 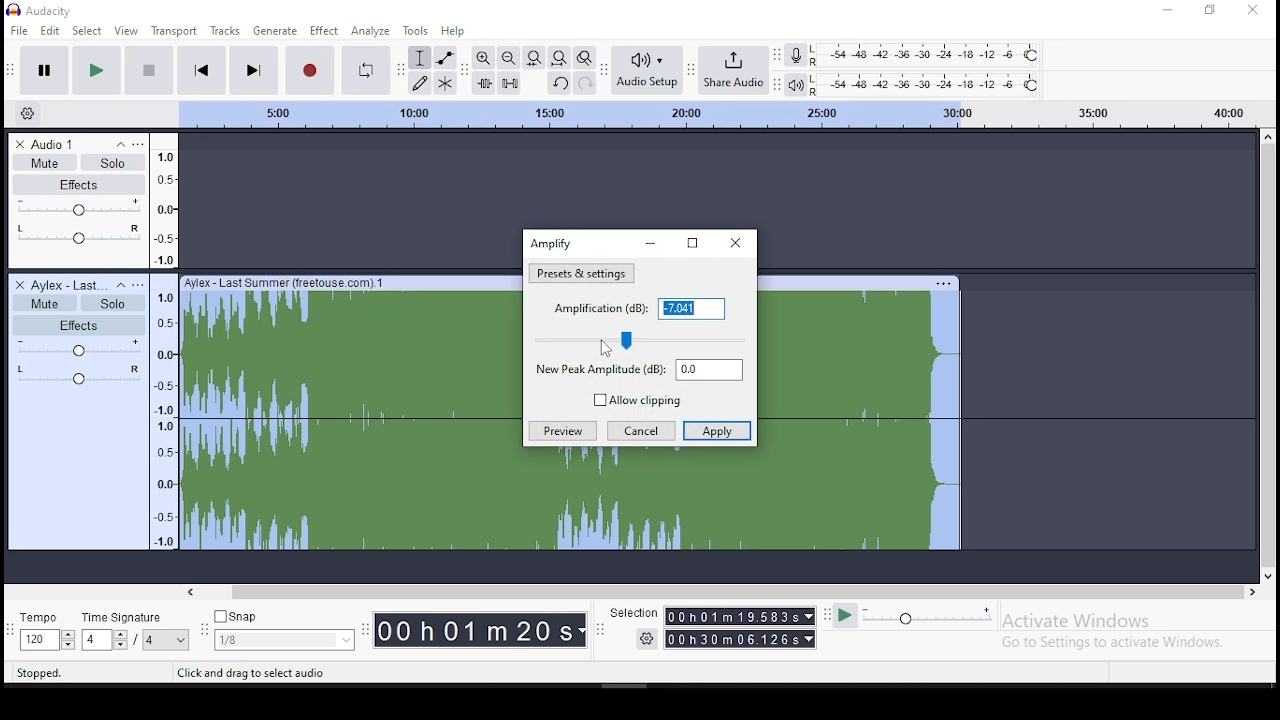 What do you see at coordinates (724, 591) in the screenshot?
I see `scroll bar` at bounding box center [724, 591].